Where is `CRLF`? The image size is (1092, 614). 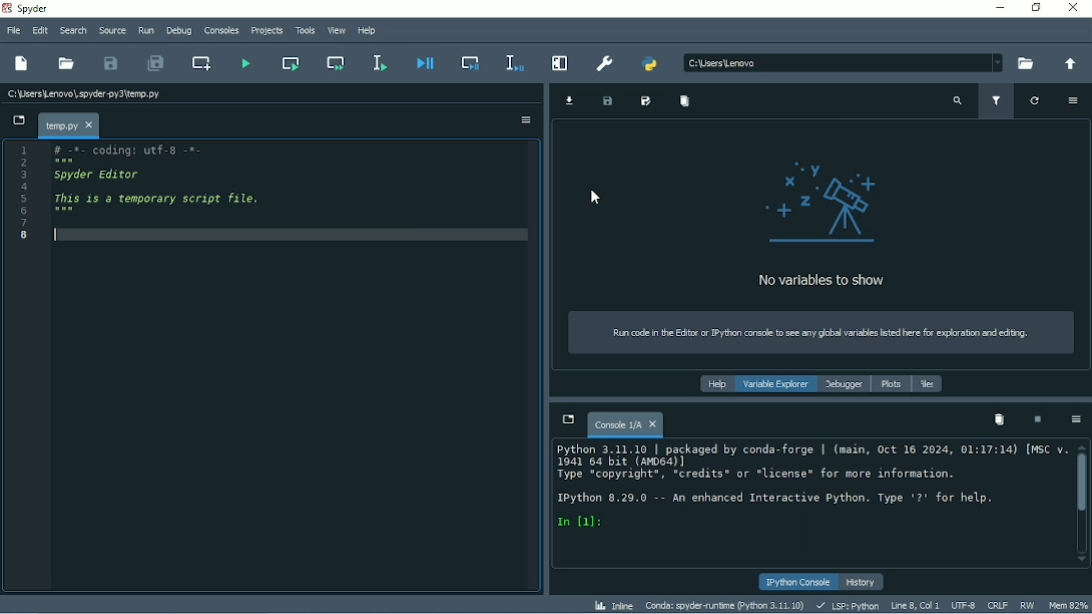
CRLF is located at coordinates (997, 605).